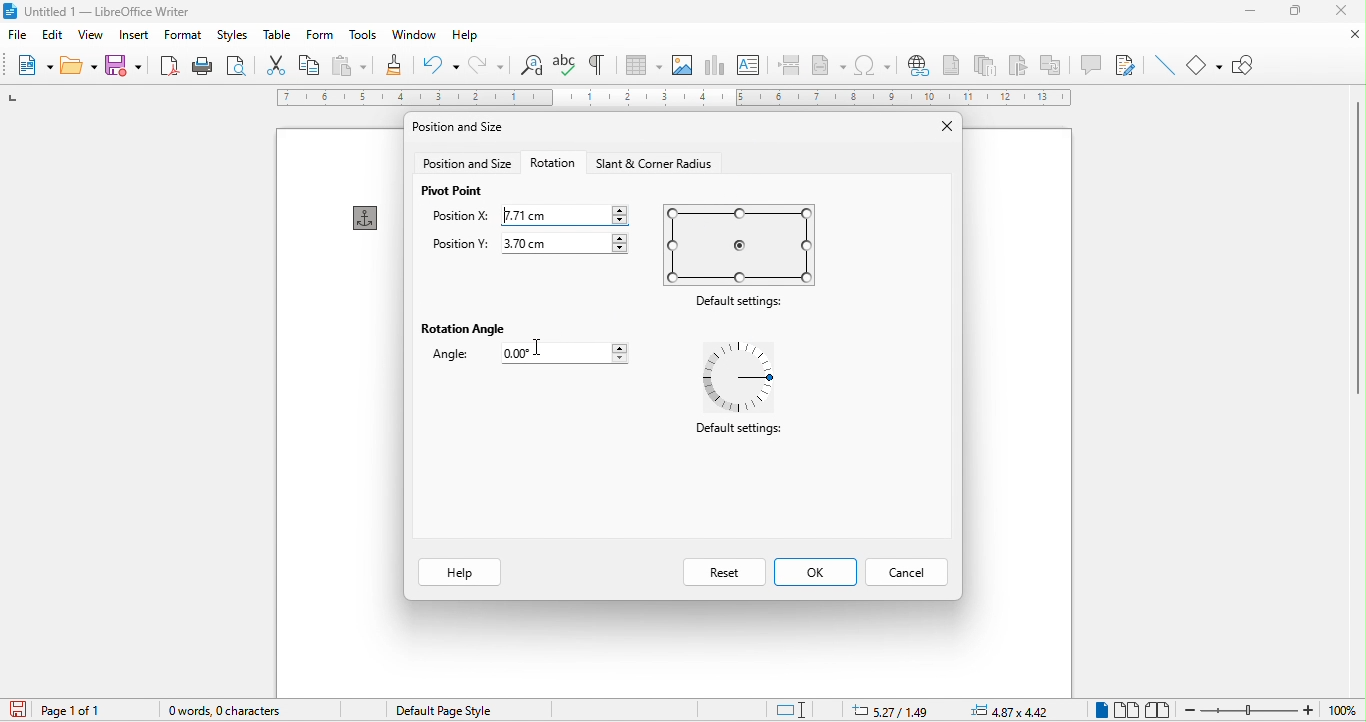  Describe the element at coordinates (950, 64) in the screenshot. I see `footnote` at that location.